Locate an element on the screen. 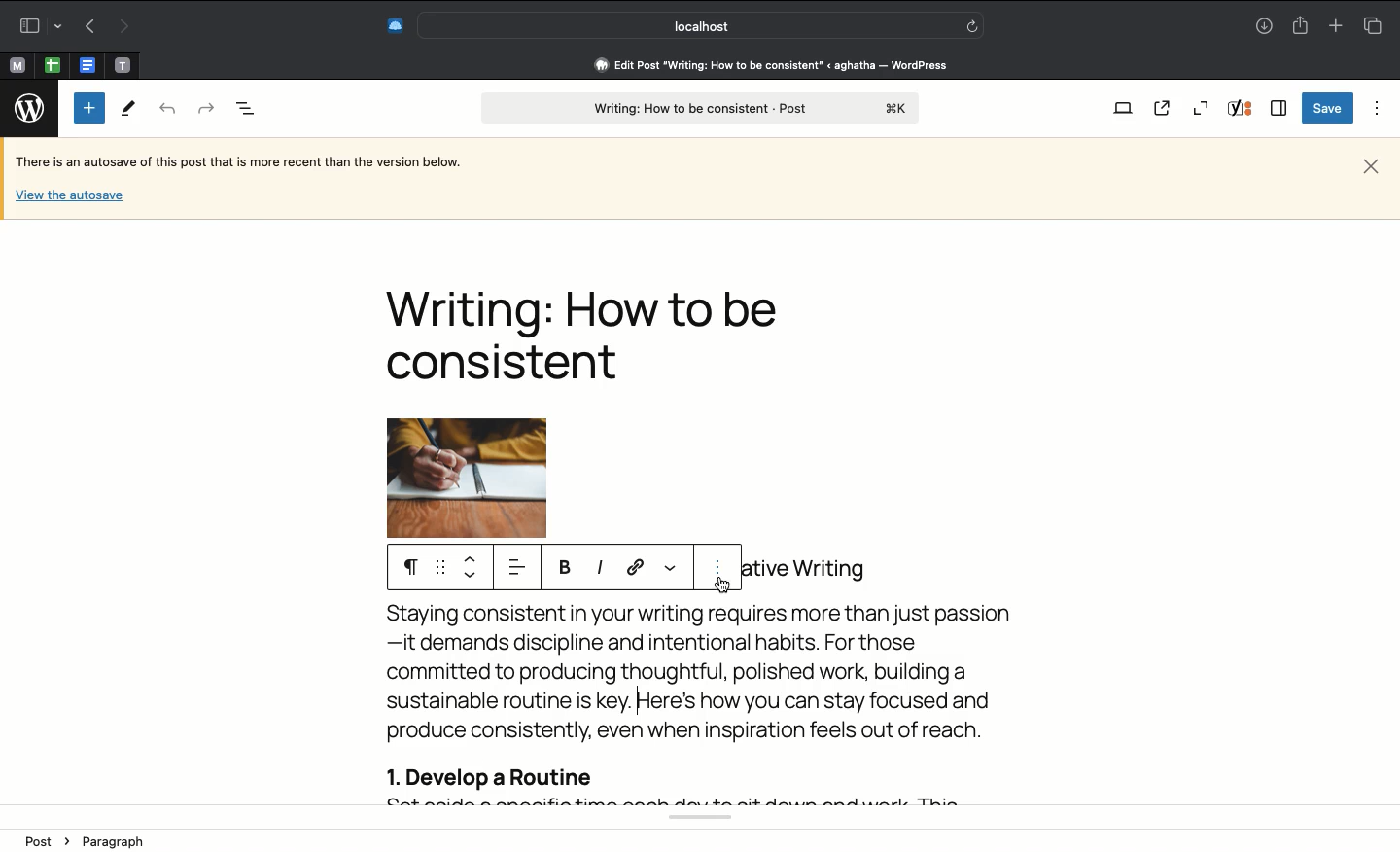  Paragraph is located at coordinates (112, 841).